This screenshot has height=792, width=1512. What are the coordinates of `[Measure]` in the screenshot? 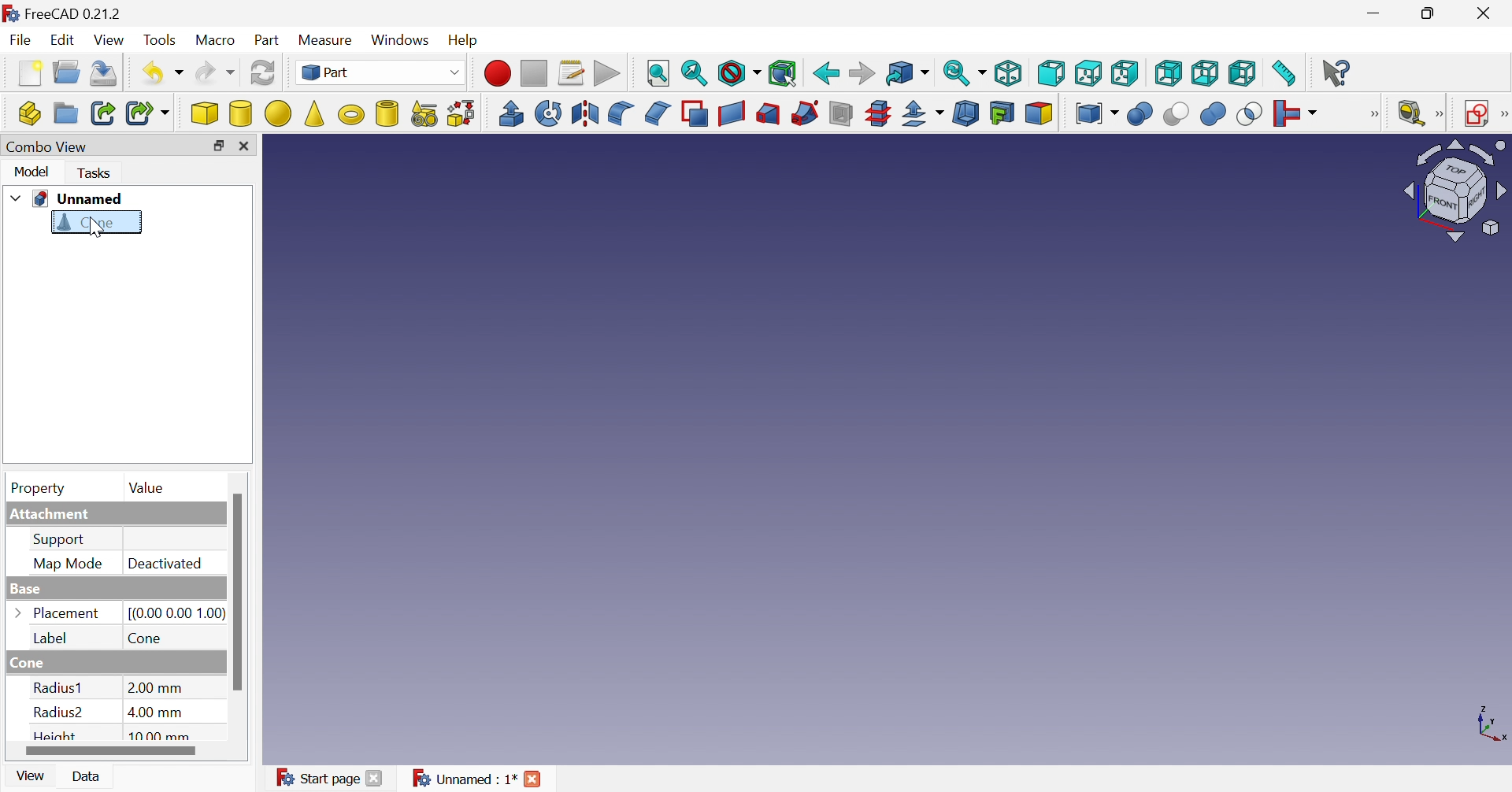 It's located at (1440, 114).